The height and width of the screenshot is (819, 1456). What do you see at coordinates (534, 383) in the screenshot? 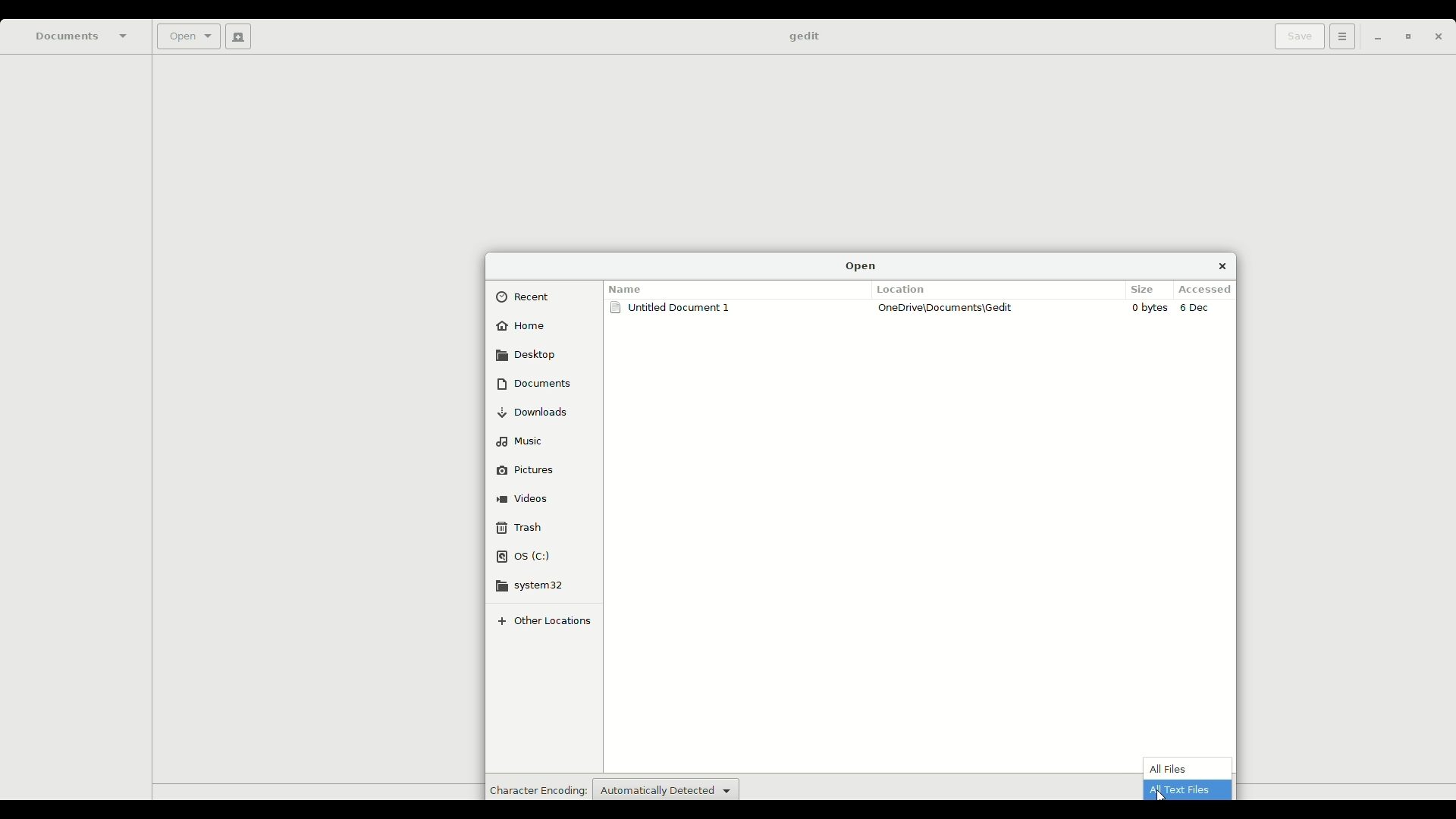
I see `Documents` at bounding box center [534, 383].